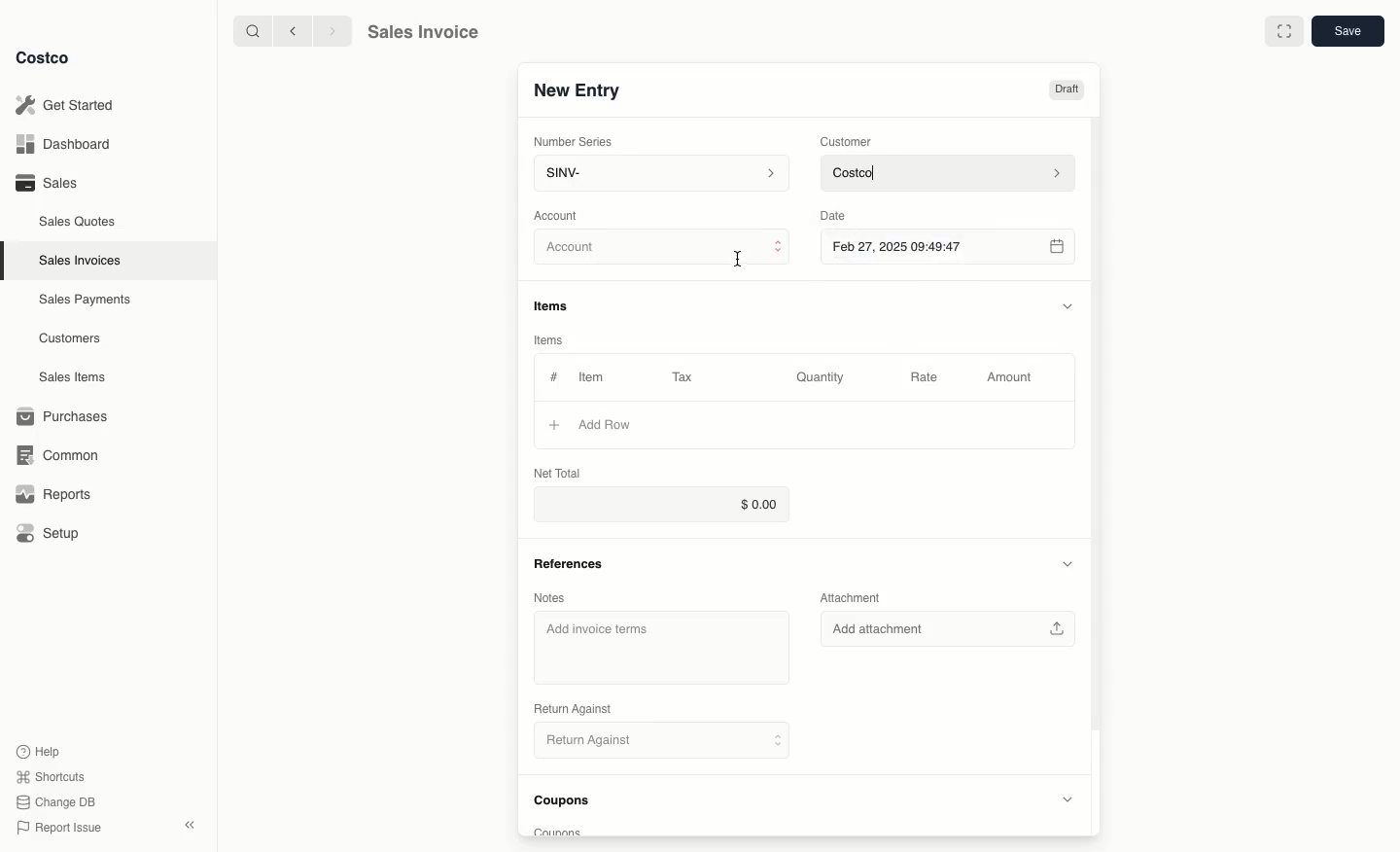  What do you see at coordinates (553, 377) in the screenshot?
I see `Hashtag` at bounding box center [553, 377].